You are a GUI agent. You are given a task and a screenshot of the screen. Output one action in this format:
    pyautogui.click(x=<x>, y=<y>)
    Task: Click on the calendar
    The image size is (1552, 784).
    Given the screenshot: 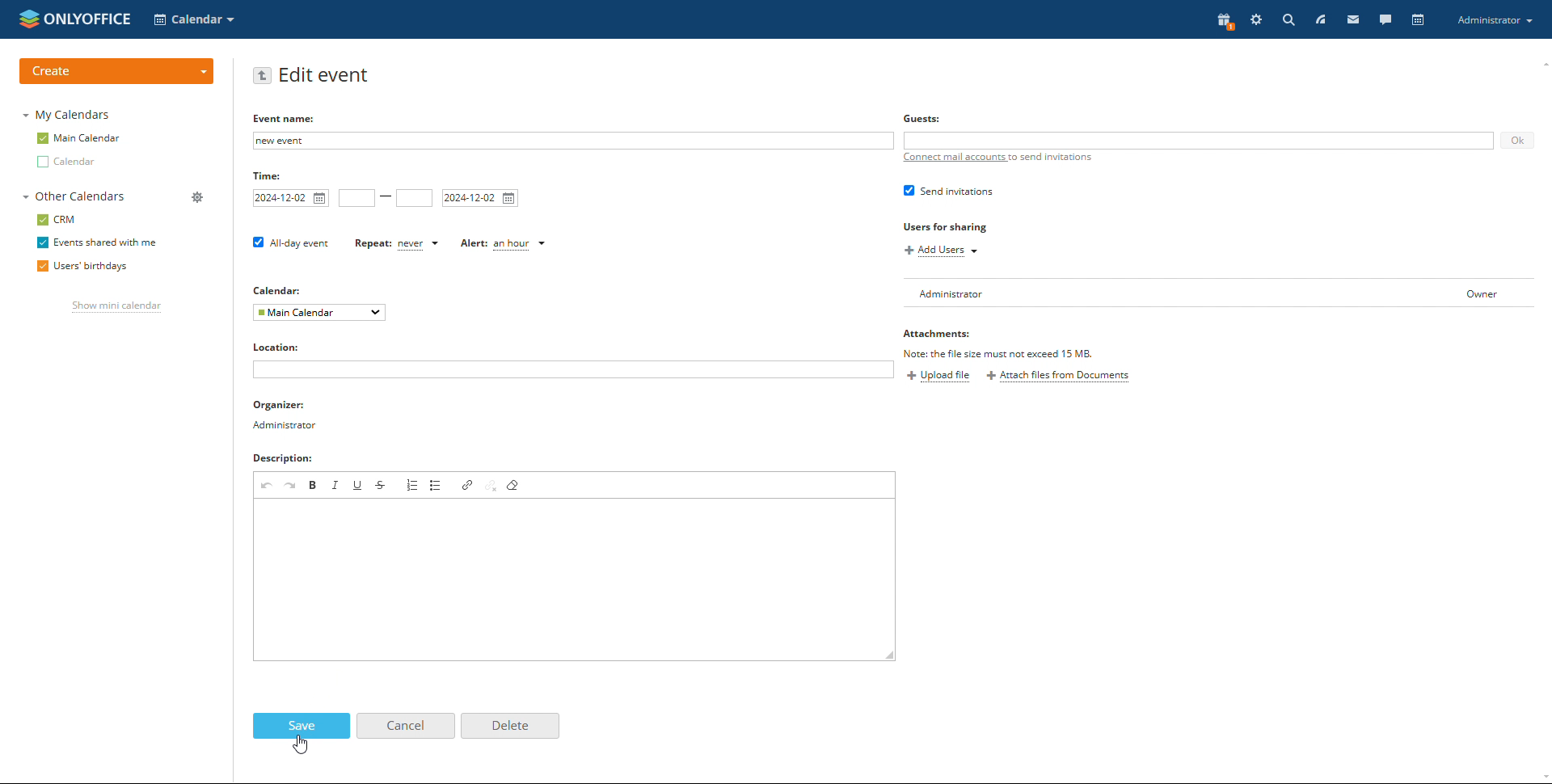 What is the action you would take?
    pyautogui.click(x=1419, y=19)
    